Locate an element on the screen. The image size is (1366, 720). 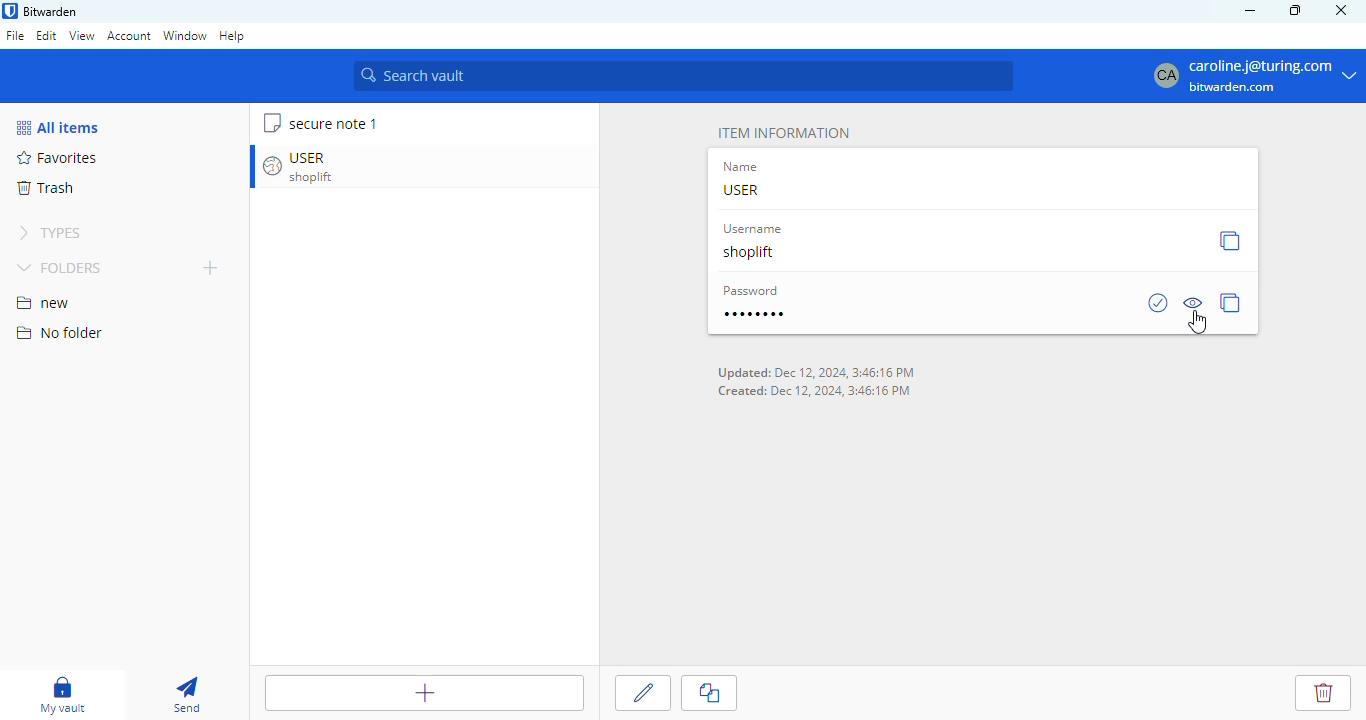
copy username is located at coordinates (1230, 241).